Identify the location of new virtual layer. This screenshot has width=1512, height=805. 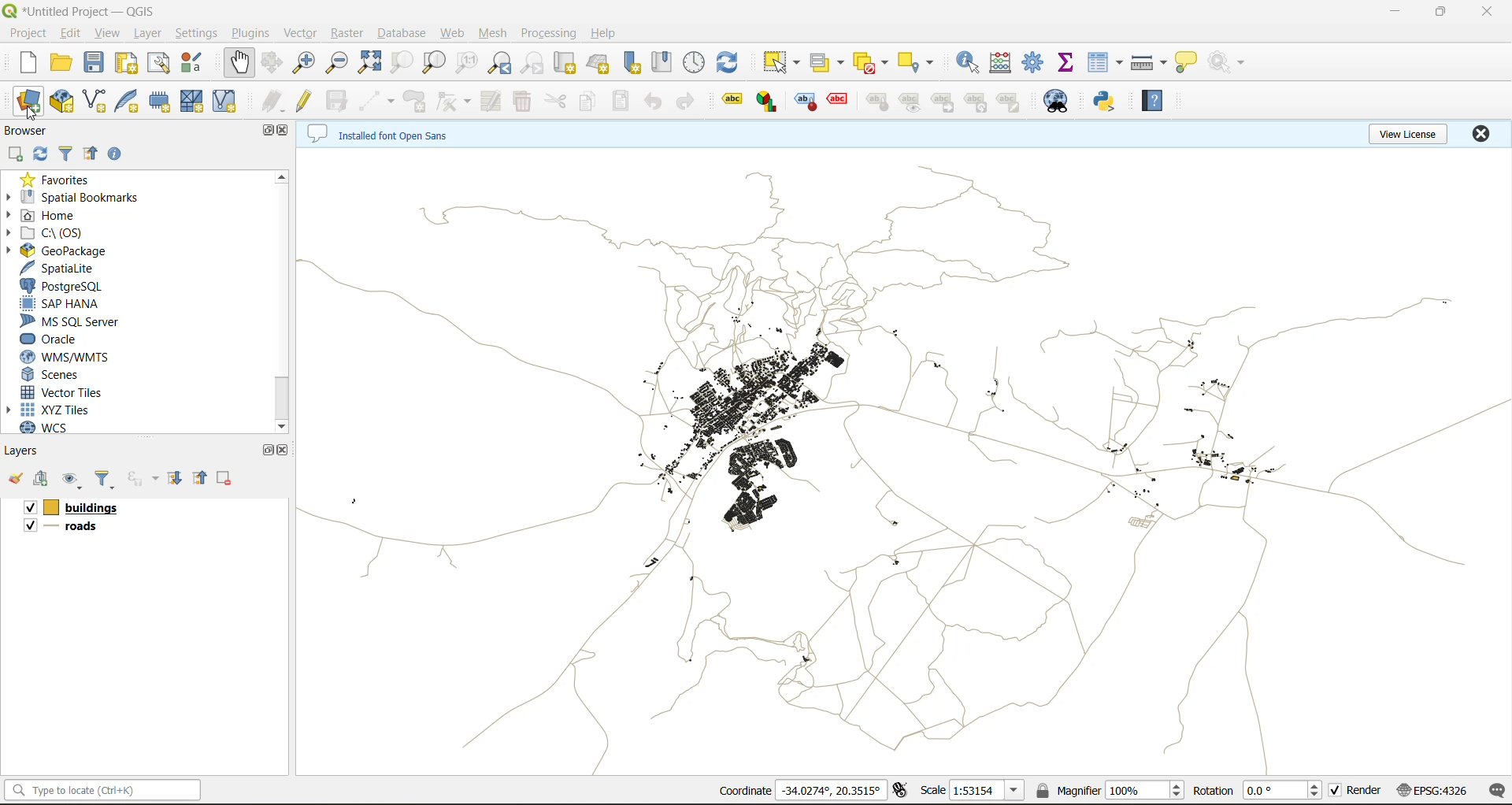
(227, 102).